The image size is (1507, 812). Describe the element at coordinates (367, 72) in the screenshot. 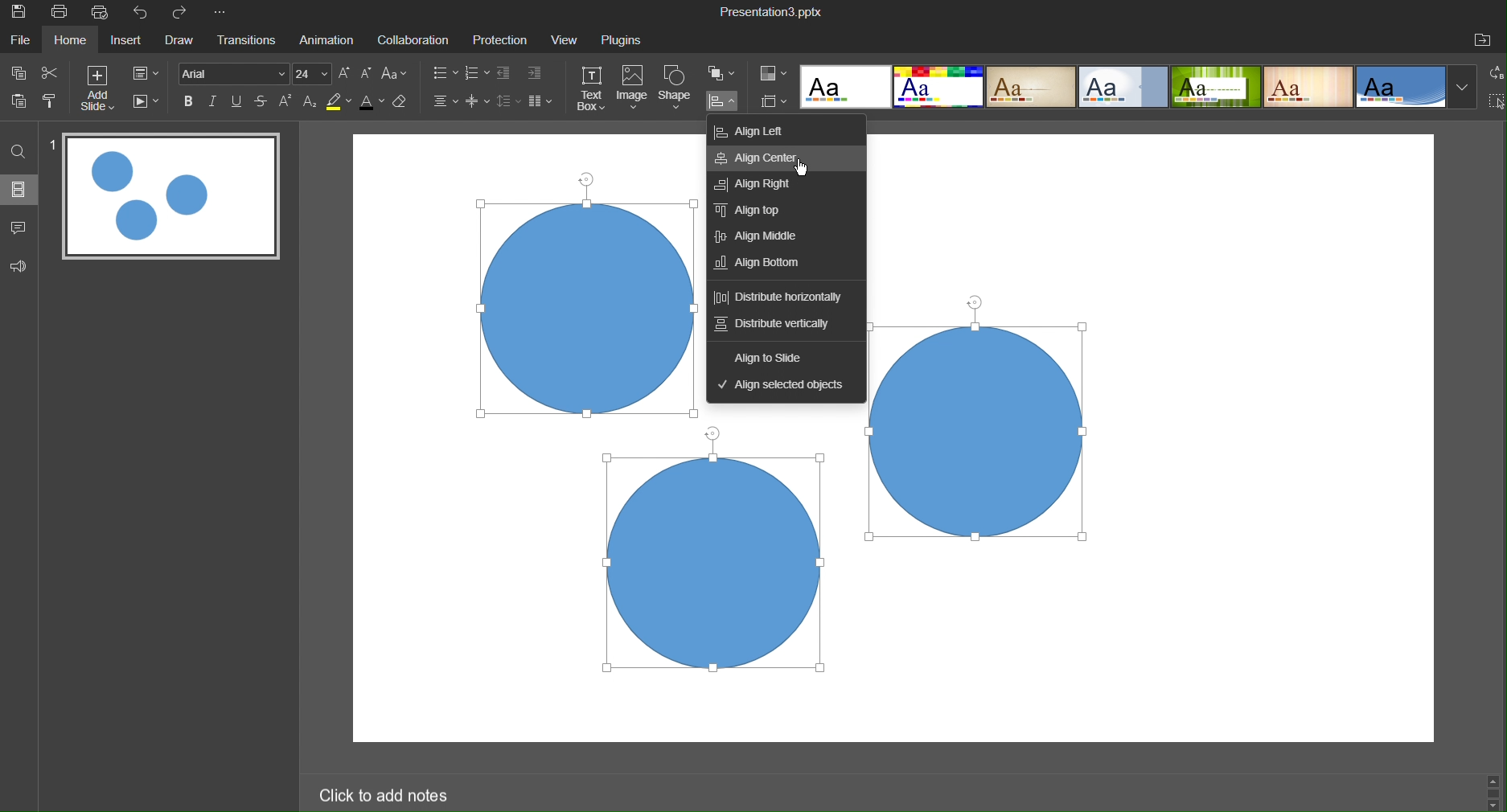

I see `Decrease size` at that location.